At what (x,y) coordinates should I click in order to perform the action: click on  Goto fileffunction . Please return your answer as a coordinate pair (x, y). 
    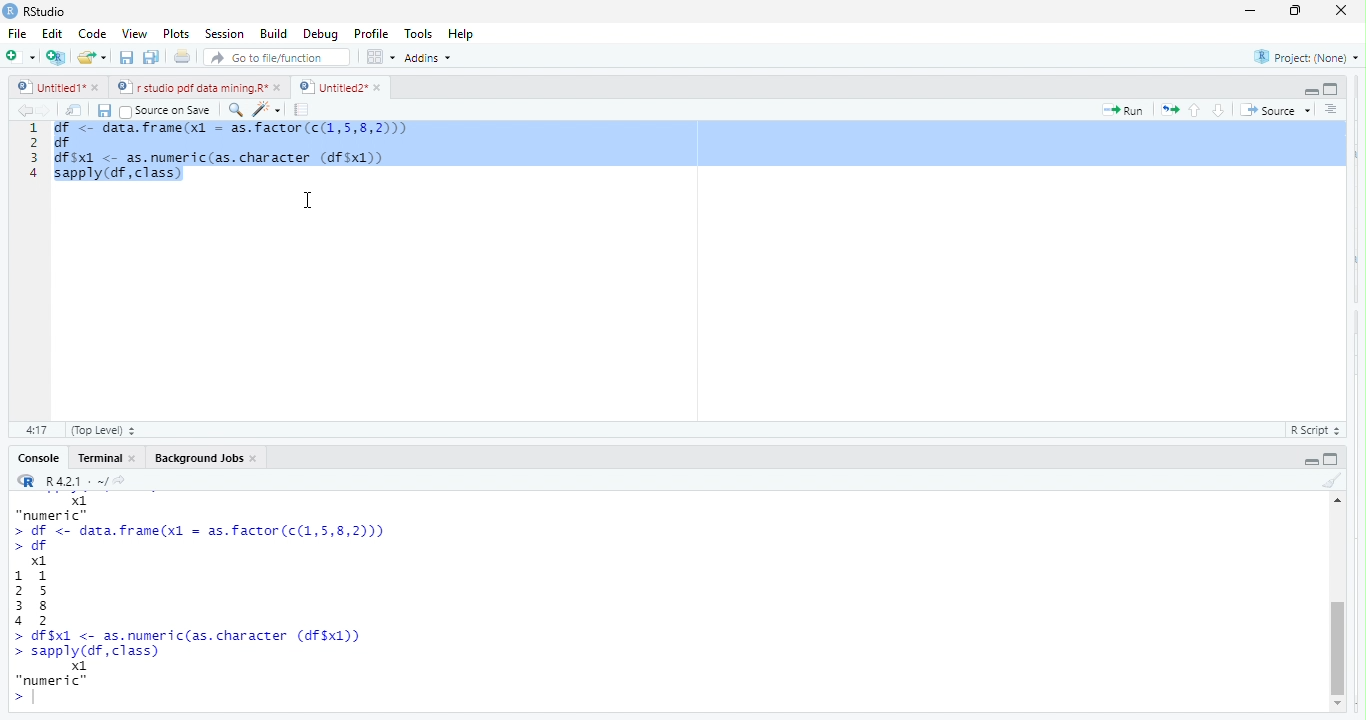
    Looking at the image, I should click on (280, 58).